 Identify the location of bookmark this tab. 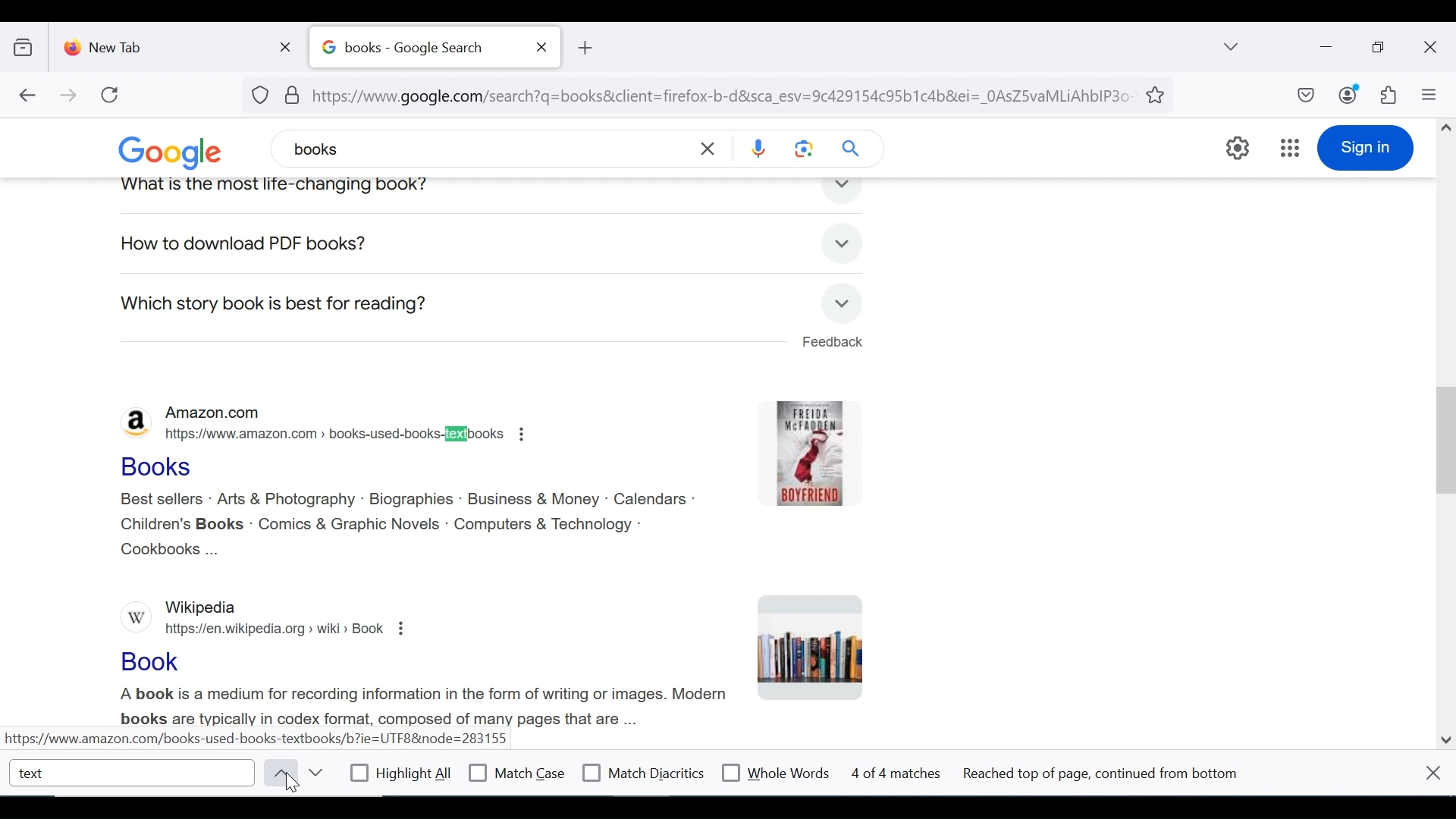
(1158, 93).